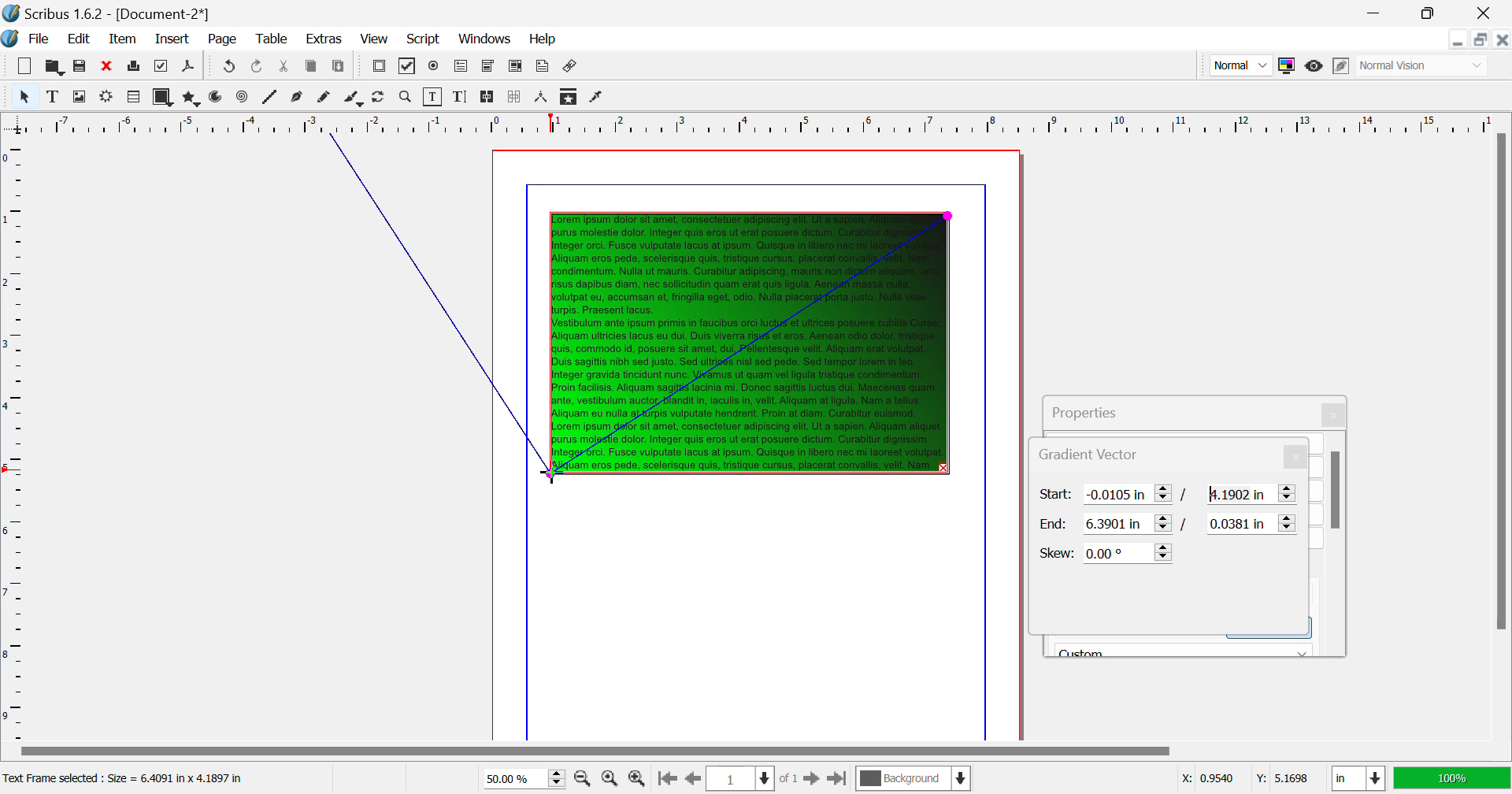 The width and height of the screenshot is (1512, 794). I want to click on Scribus 1.62 - [Document-2*], so click(108, 13).